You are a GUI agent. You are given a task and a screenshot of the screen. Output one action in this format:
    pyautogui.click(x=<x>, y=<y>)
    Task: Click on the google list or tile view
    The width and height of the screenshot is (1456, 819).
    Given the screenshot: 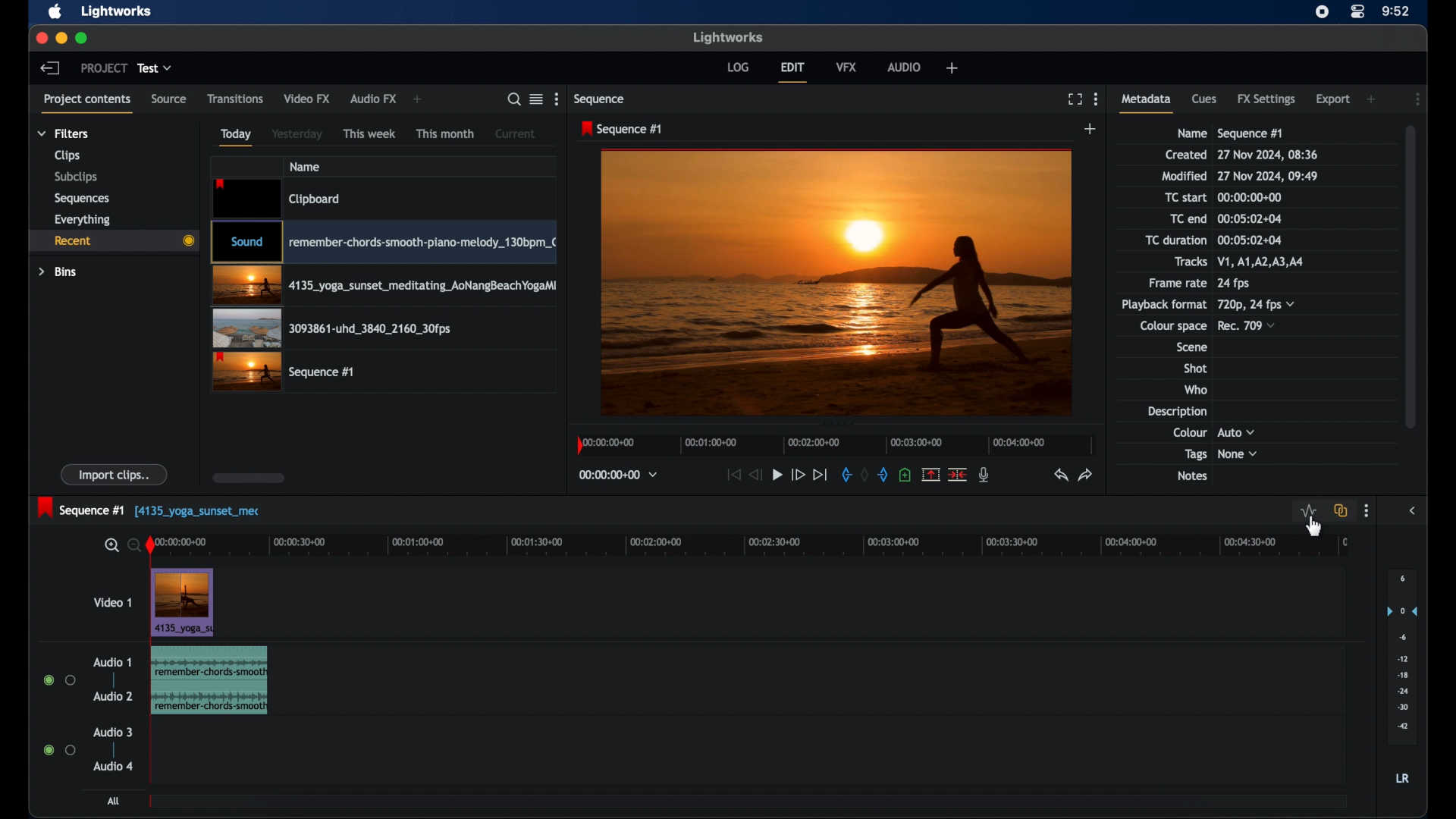 What is the action you would take?
    pyautogui.click(x=537, y=99)
    